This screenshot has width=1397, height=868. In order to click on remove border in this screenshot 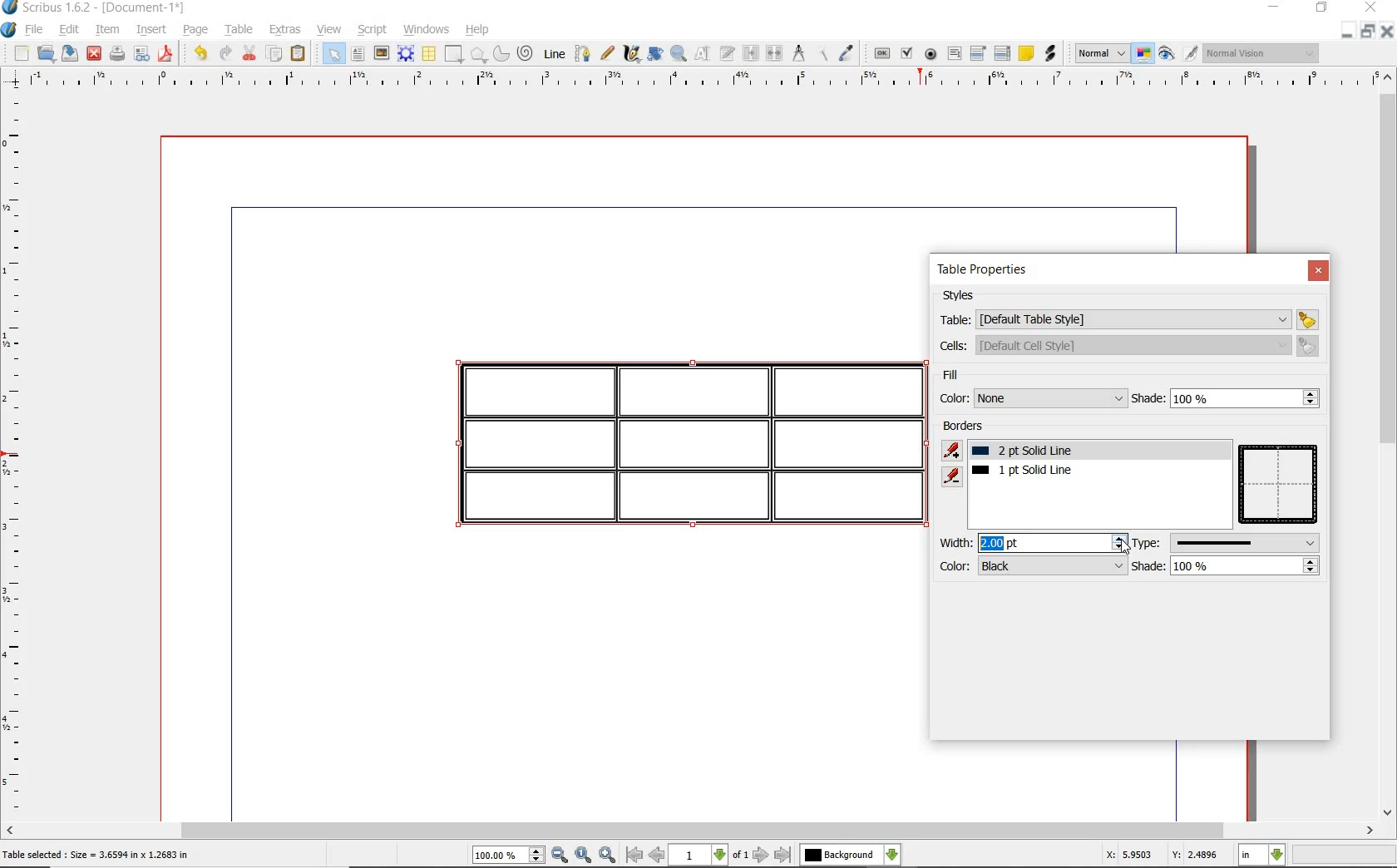, I will do `click(954, 477)`.